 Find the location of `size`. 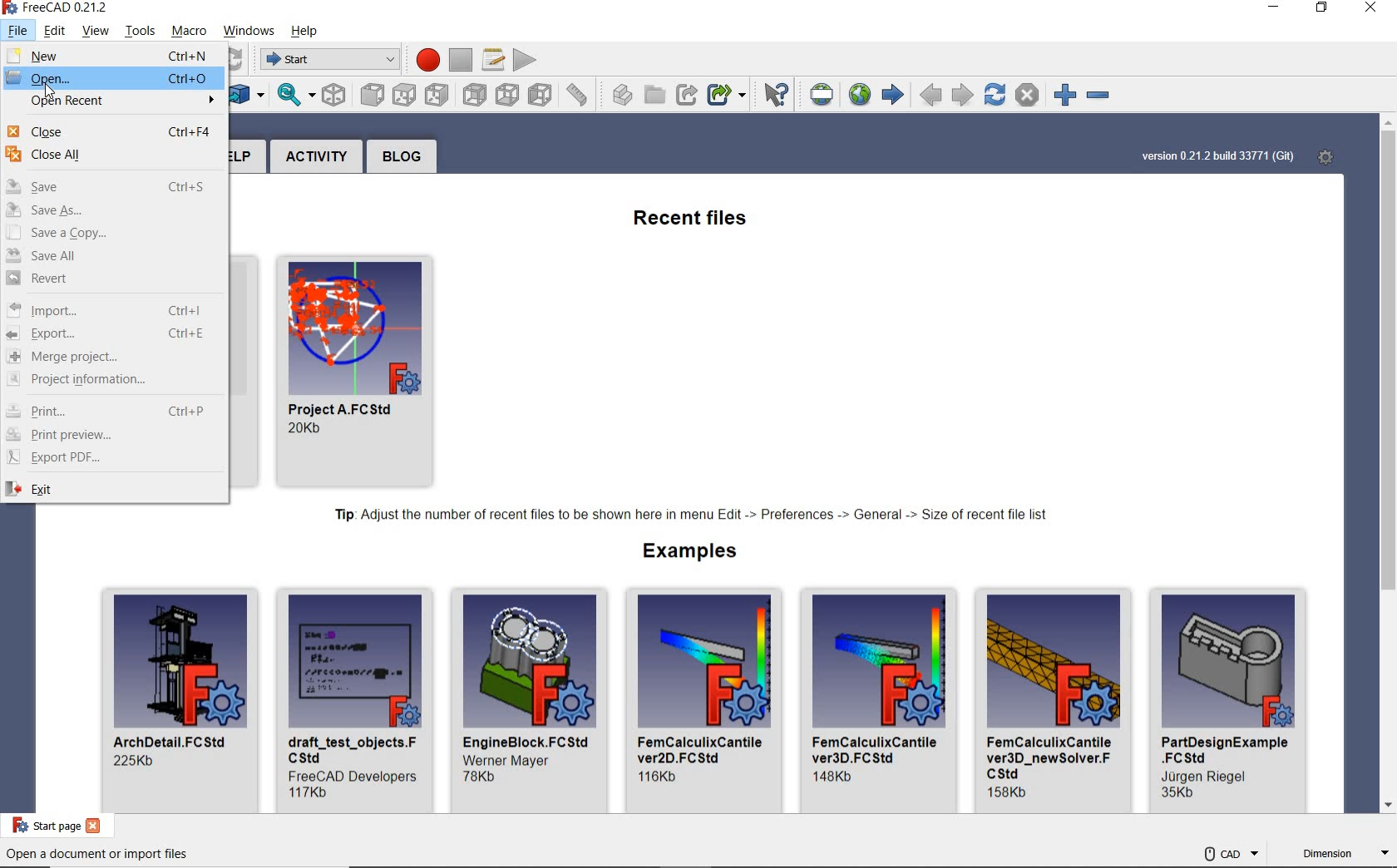

size is located at coordinates (660, 777).